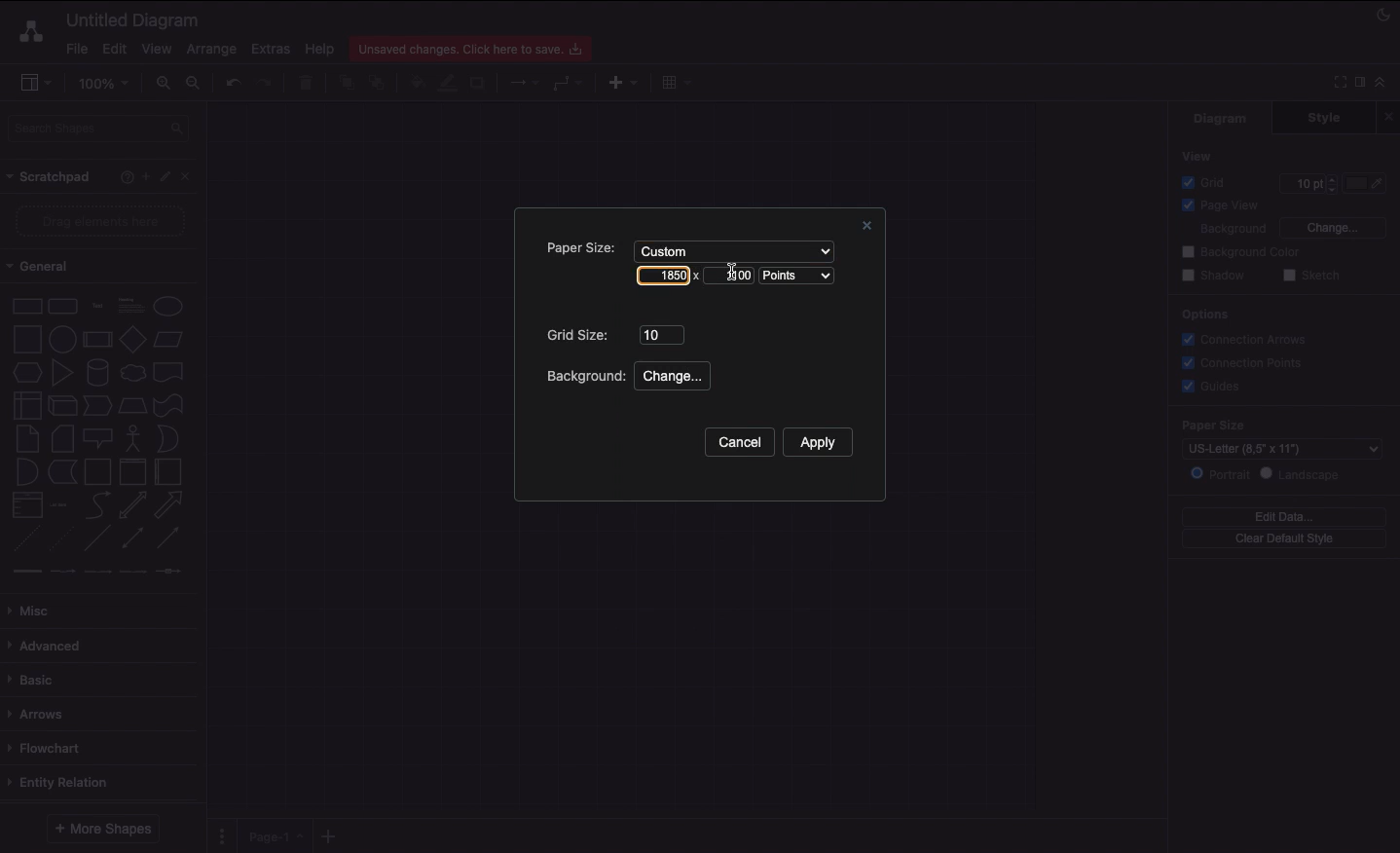  Describe the element at coordinates (583, 376) in the screenshot. I see `Background` at that location.